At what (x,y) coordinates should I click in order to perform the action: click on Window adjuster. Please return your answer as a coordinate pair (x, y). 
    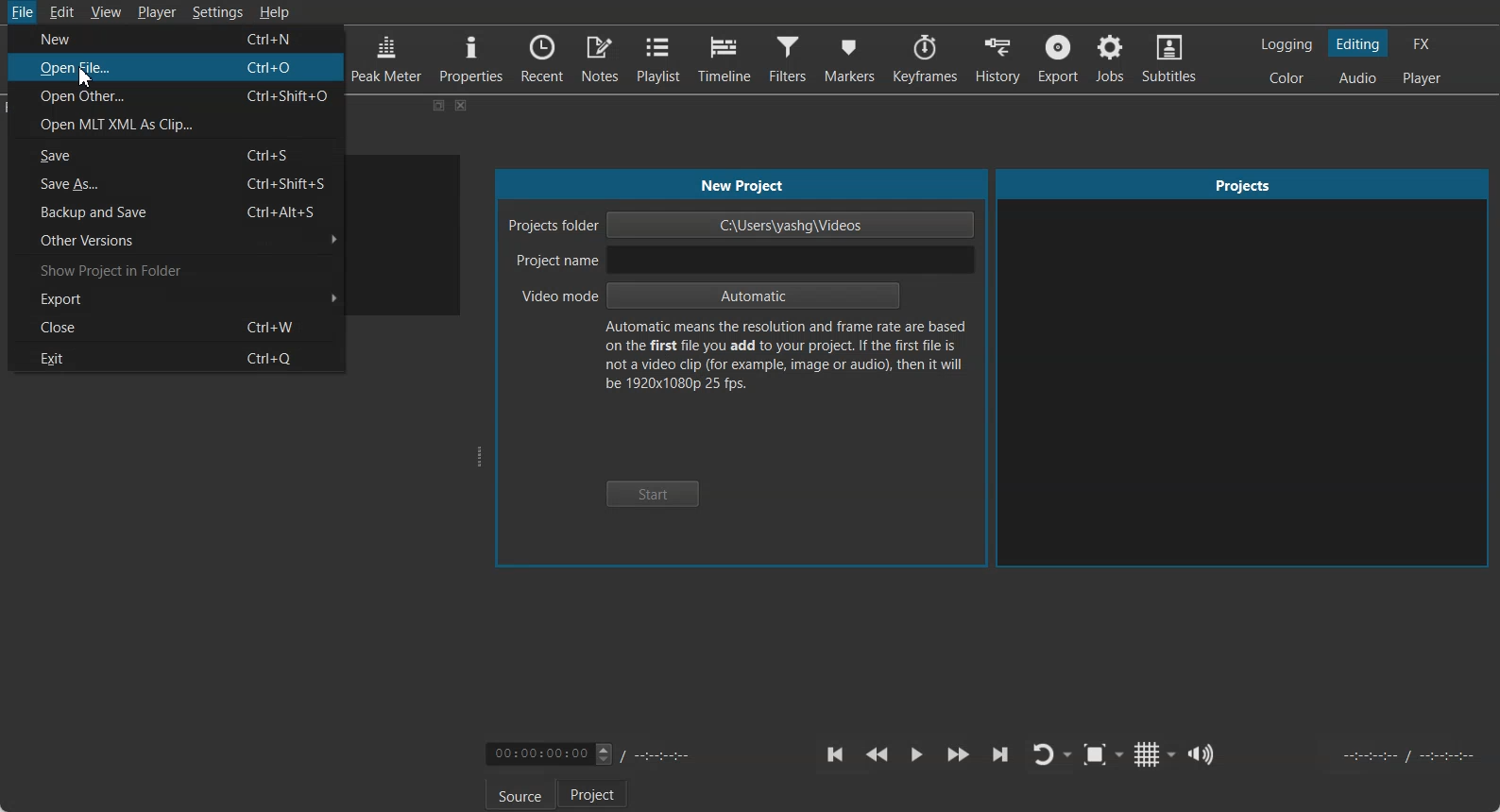
    Looking at the image, I should click on (481, 457).